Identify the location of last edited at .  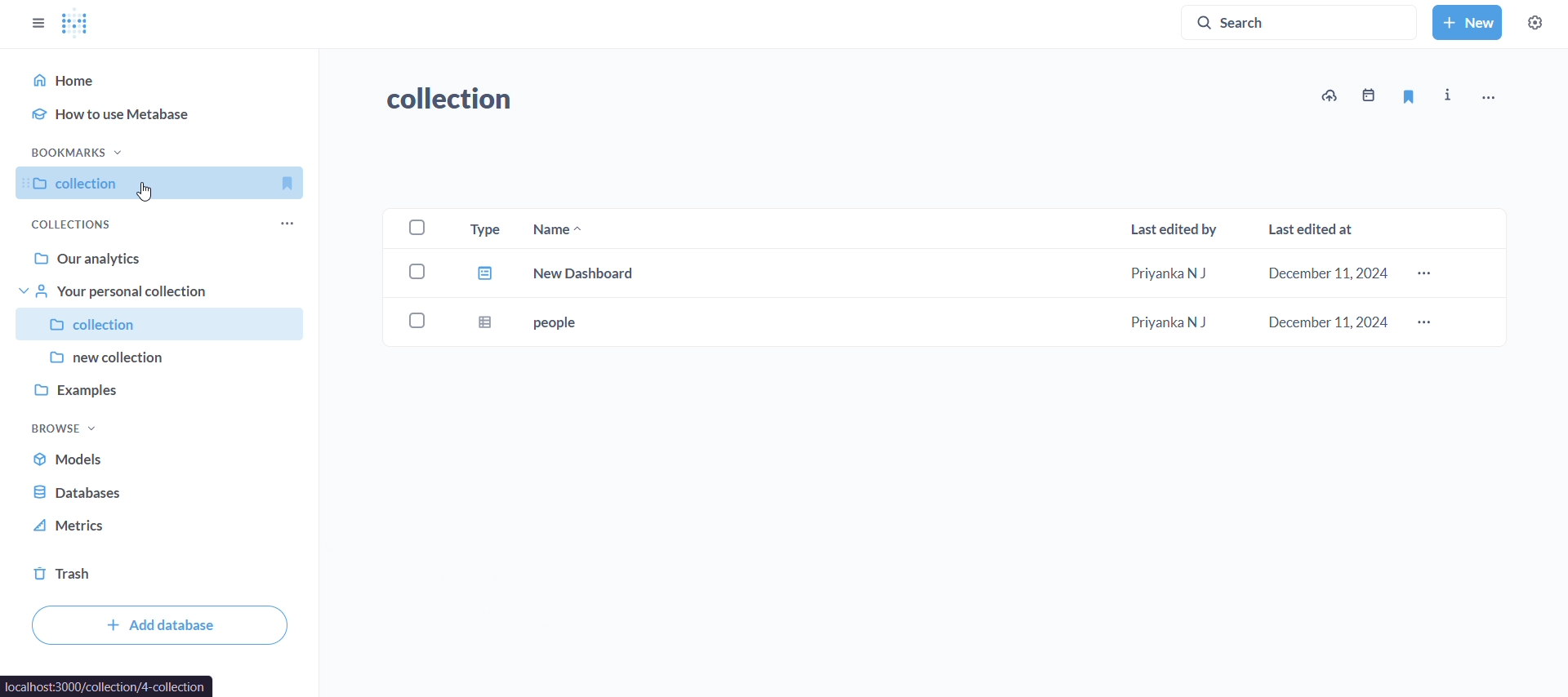
(1321, 223).